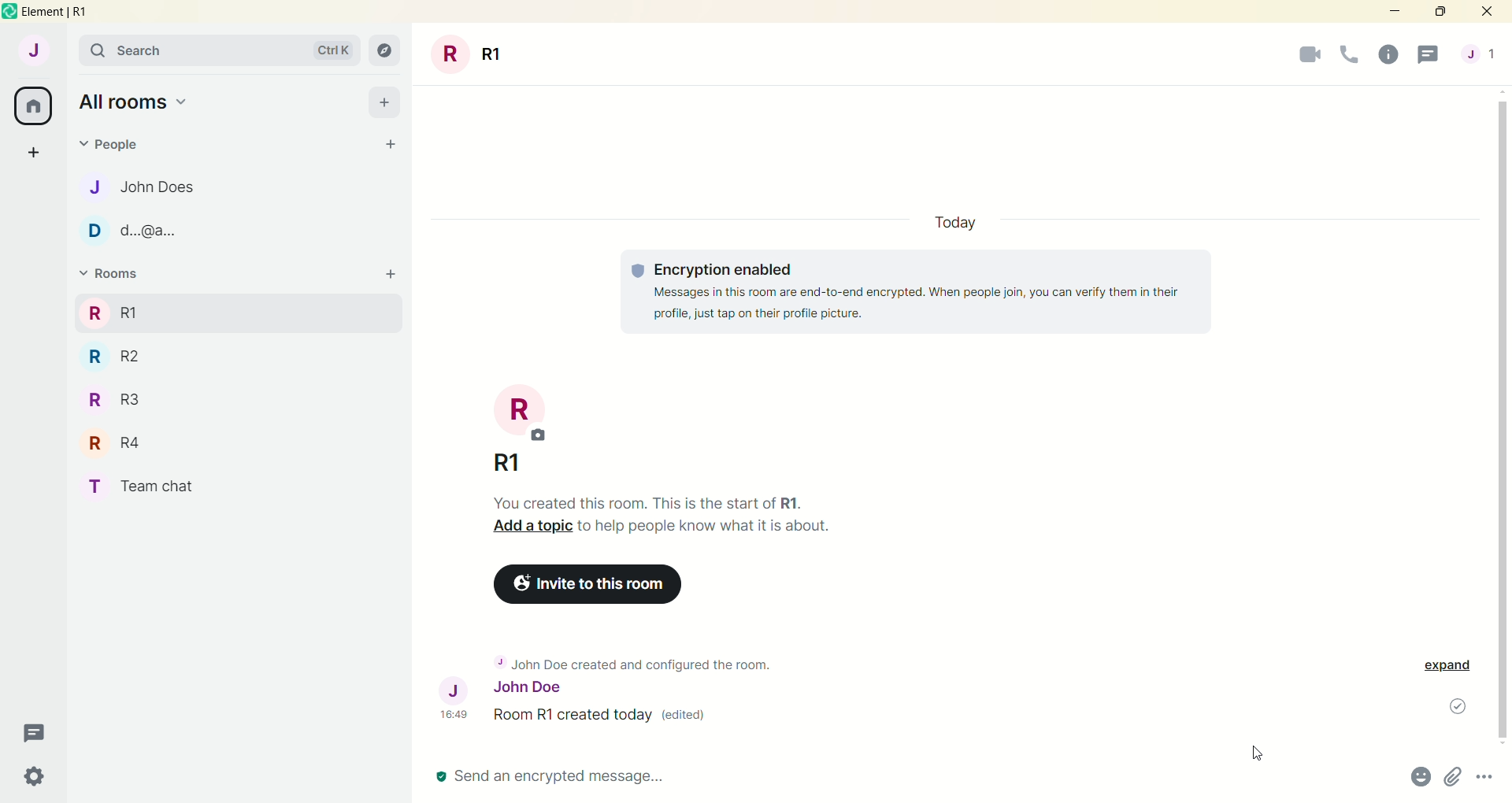 The height and width of the screenshot is (803, 1512). Describe the element at coordinates (223, 52) in the screenshot. I see `search` at that location.